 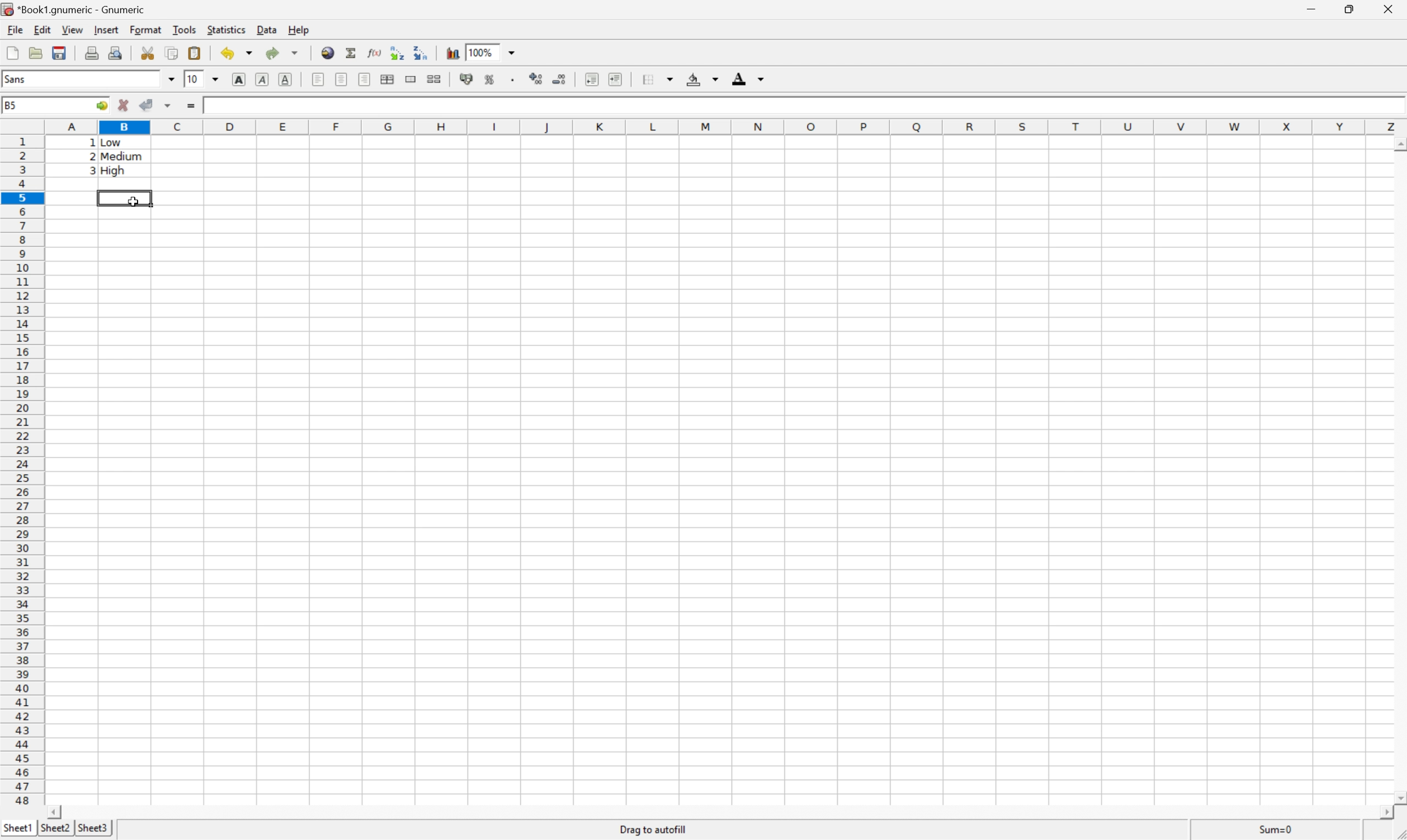 I want to click on Statistics, so click(x=227, y=28).